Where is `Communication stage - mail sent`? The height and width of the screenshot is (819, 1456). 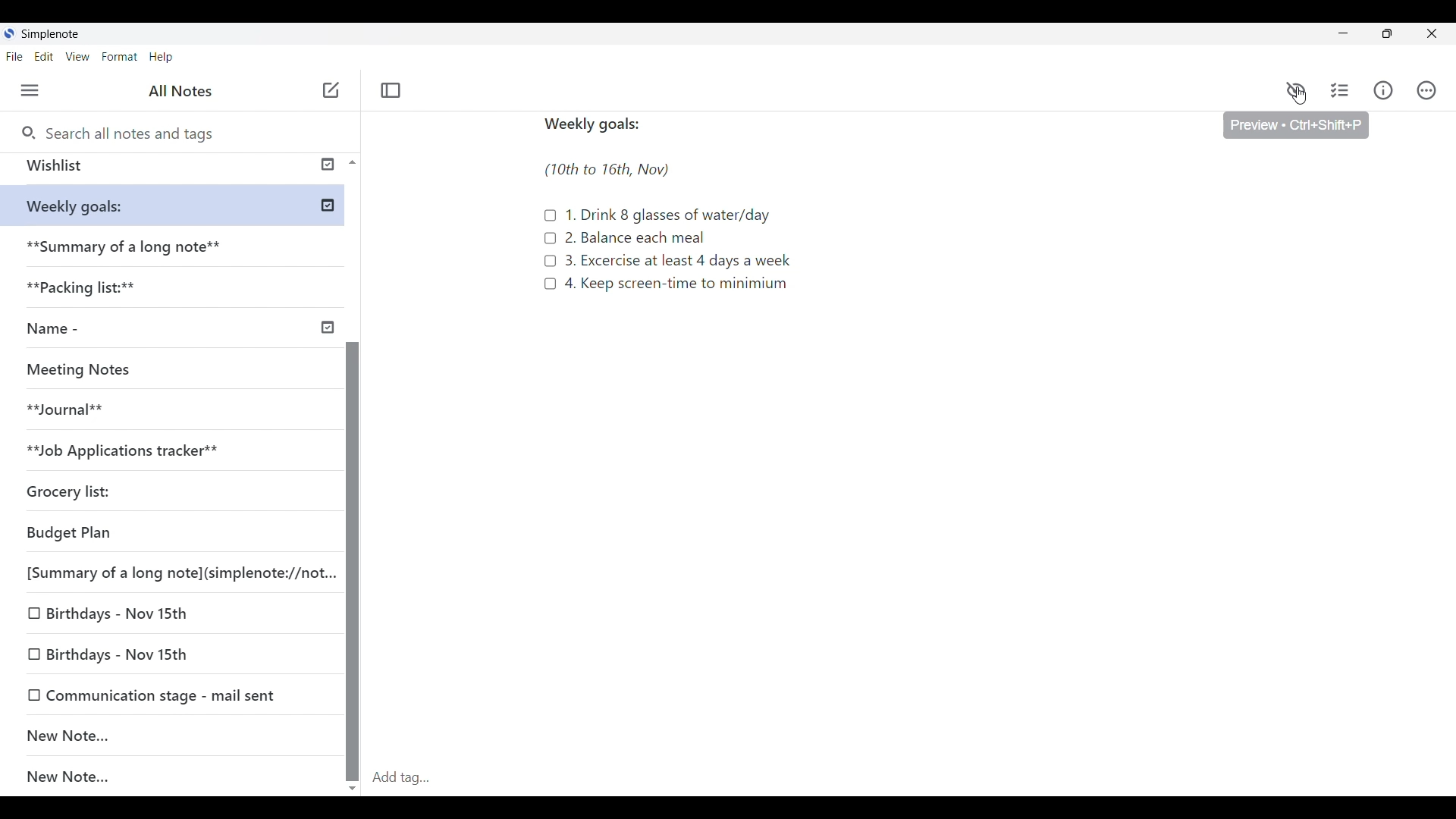
Communication stage - mail sent is located at coordinates (172, 695).